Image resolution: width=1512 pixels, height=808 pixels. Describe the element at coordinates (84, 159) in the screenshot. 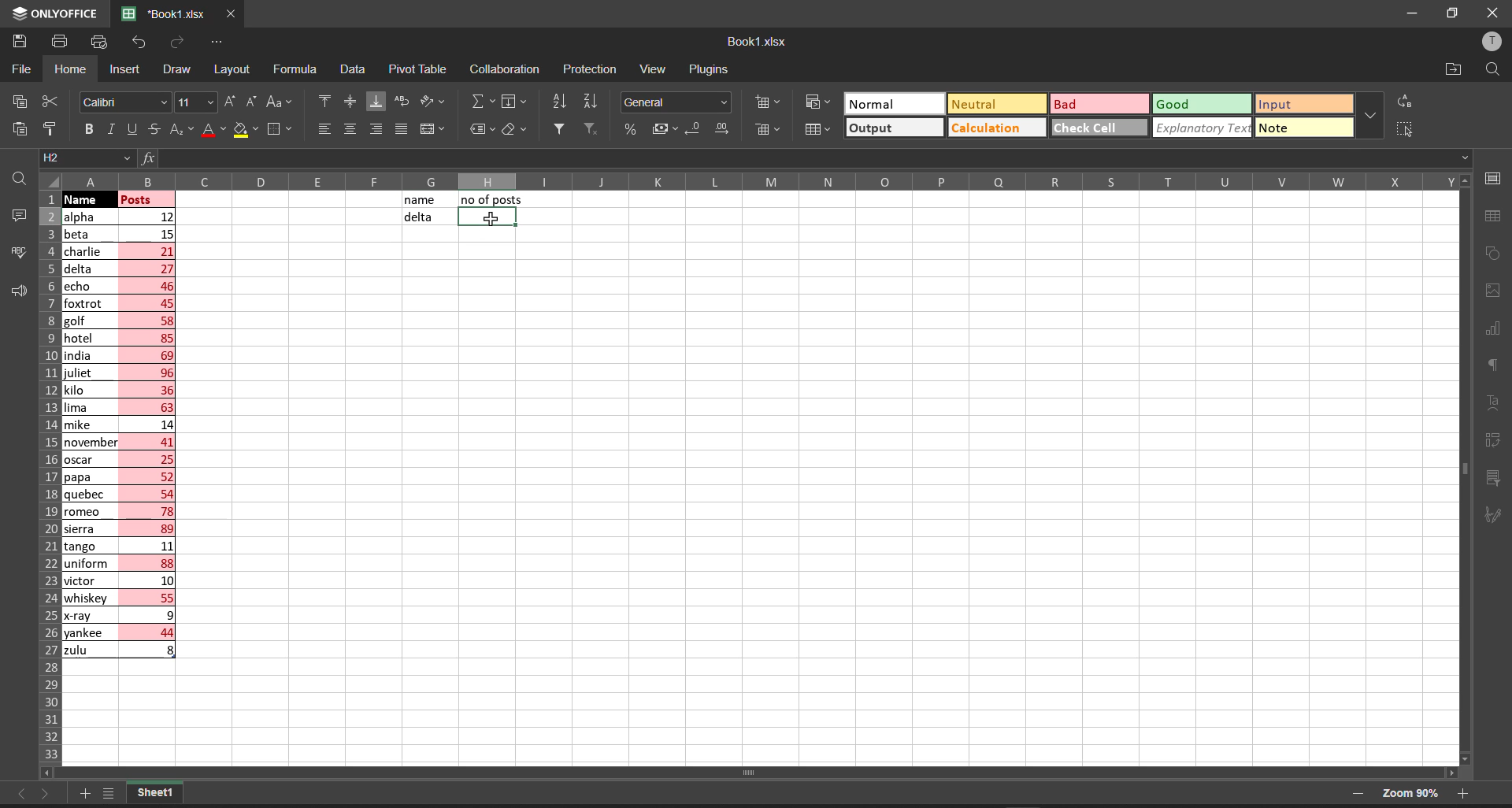

I see `cell address` at that location.